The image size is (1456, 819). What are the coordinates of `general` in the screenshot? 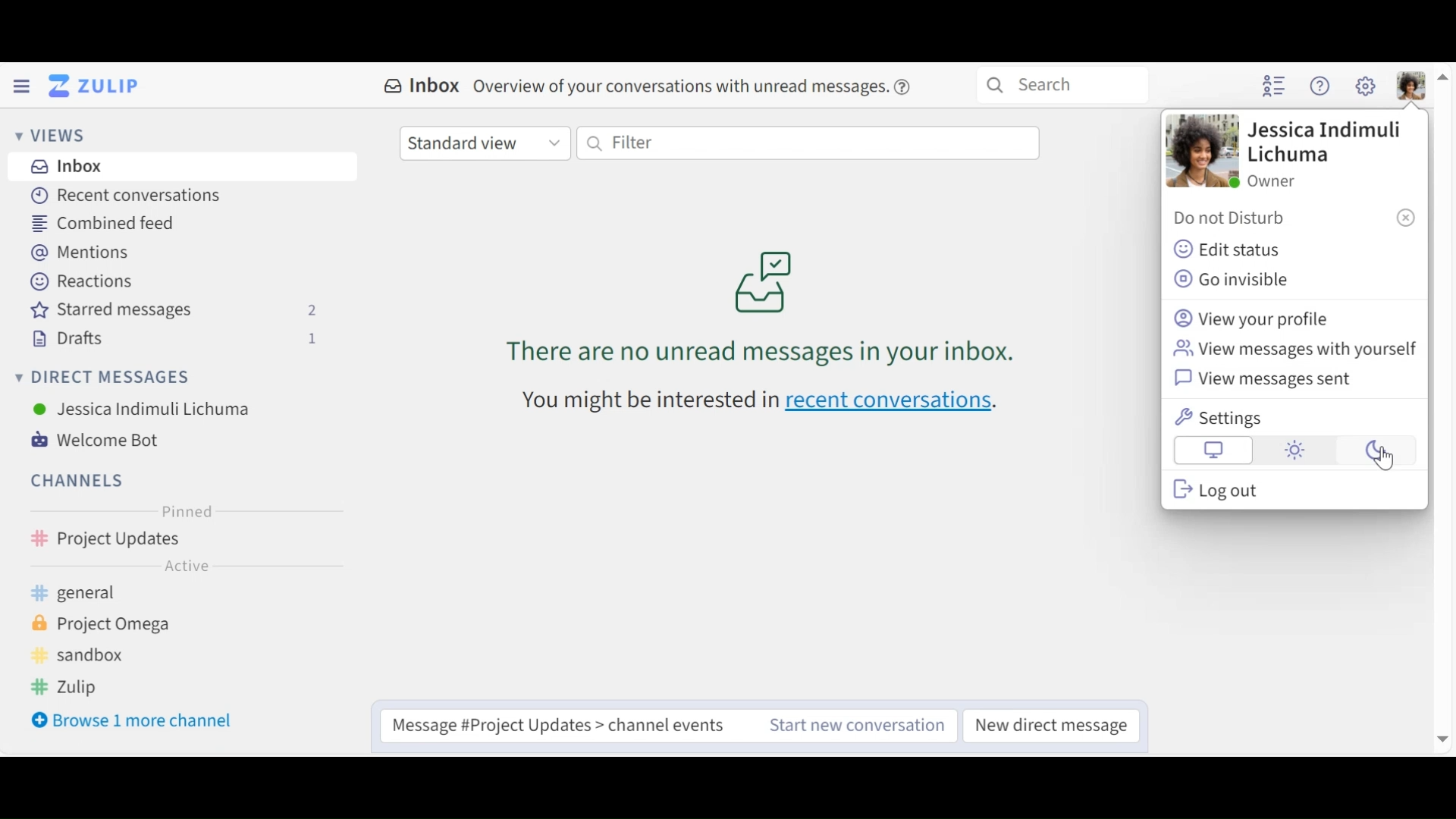 It's located at (95, 595).